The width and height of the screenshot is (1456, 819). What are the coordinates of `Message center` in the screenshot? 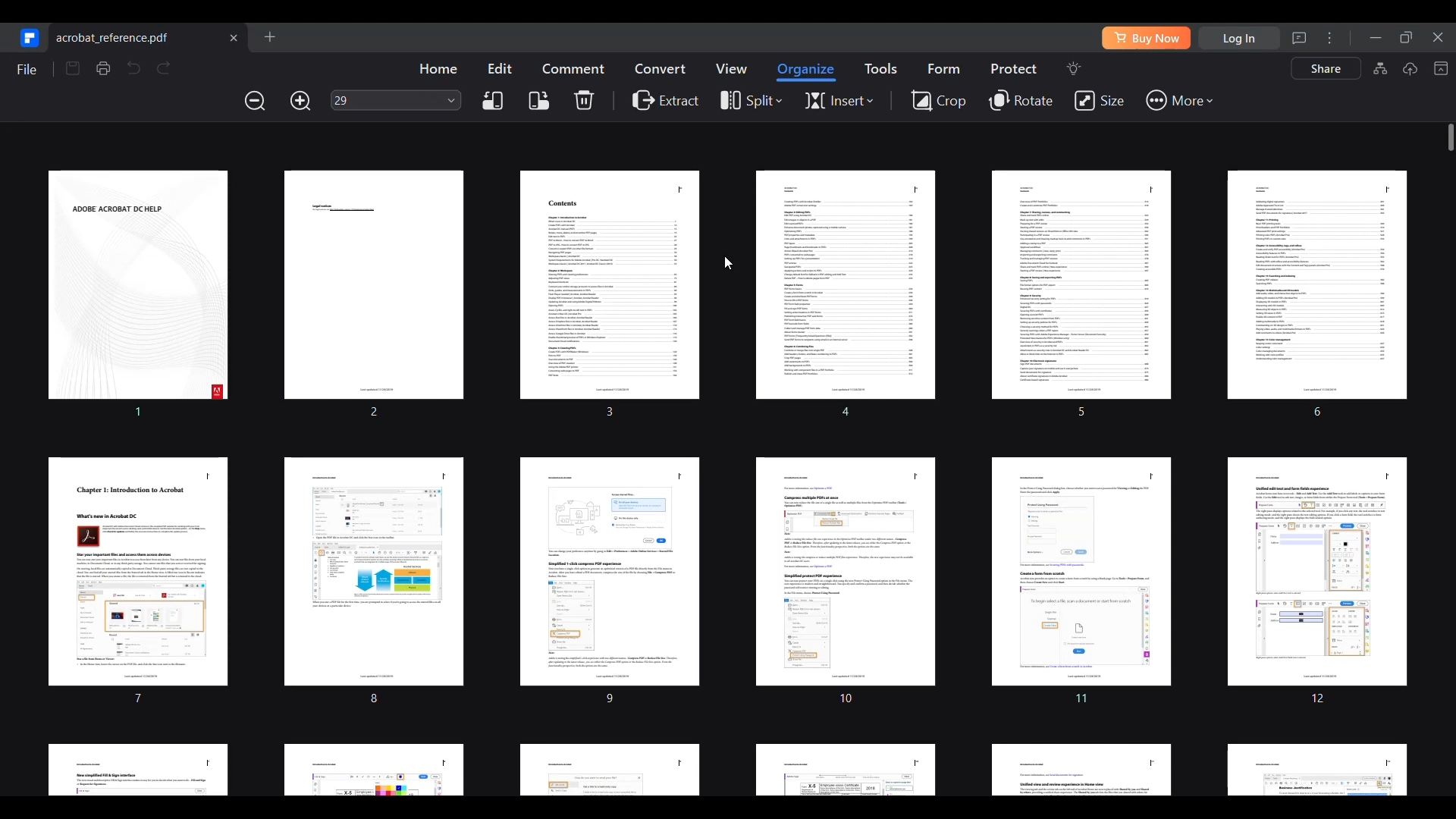 It's located at (1299, 38).